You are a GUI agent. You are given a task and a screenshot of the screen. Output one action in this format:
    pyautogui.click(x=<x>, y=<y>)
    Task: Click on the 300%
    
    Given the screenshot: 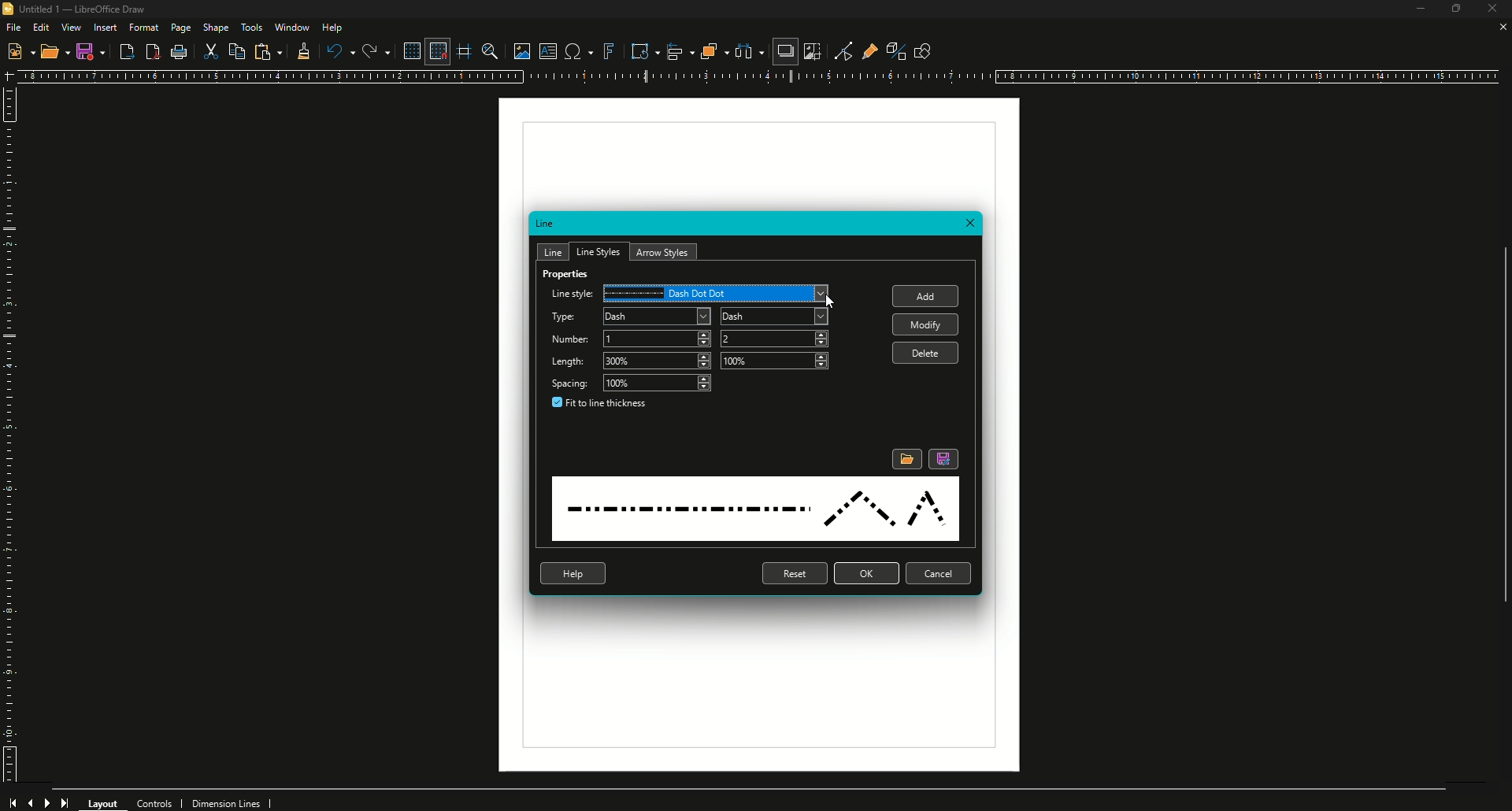 What is the action you would take?
    pyautogui.click(x=658, y=361)
    